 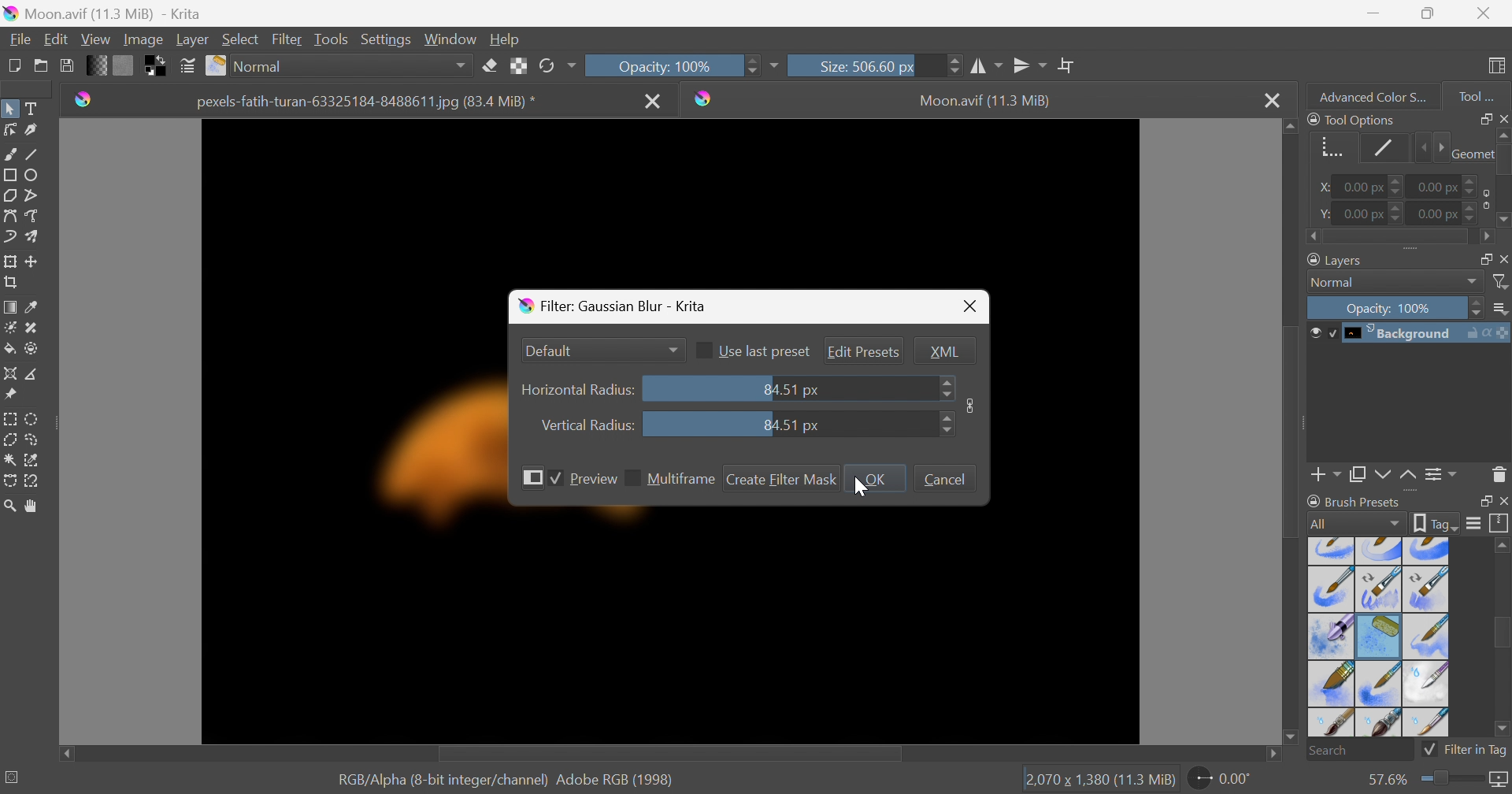 What do you see at coordinates (1289, 740) in the screenshot?
I see `Scroll down` at bounding box center [1289, 740].